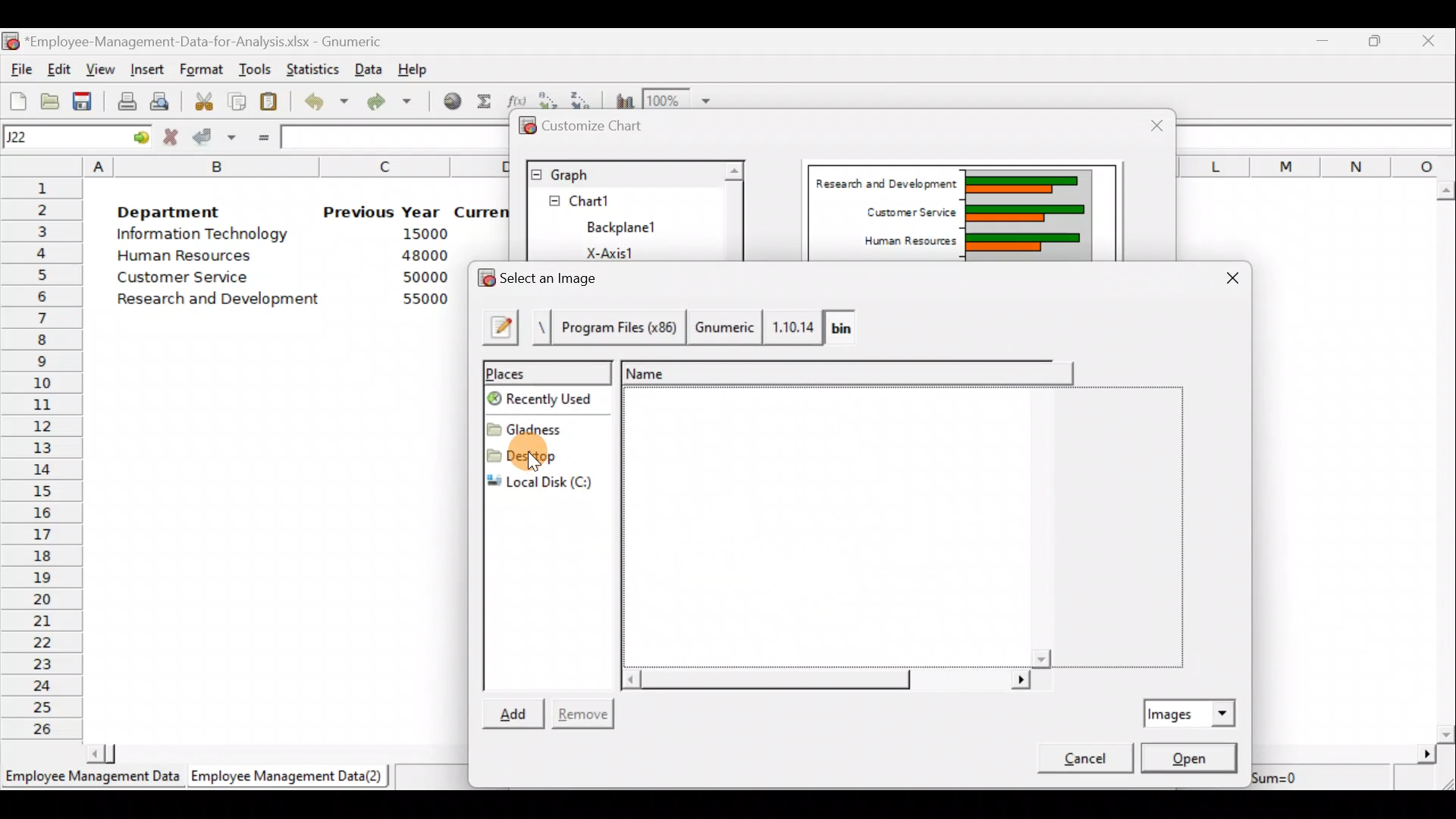 The height and width of the screenshot is (819, 1456). Describe the element at coordinates (1191, 711) in the screenshot. I see `Images` at that location.